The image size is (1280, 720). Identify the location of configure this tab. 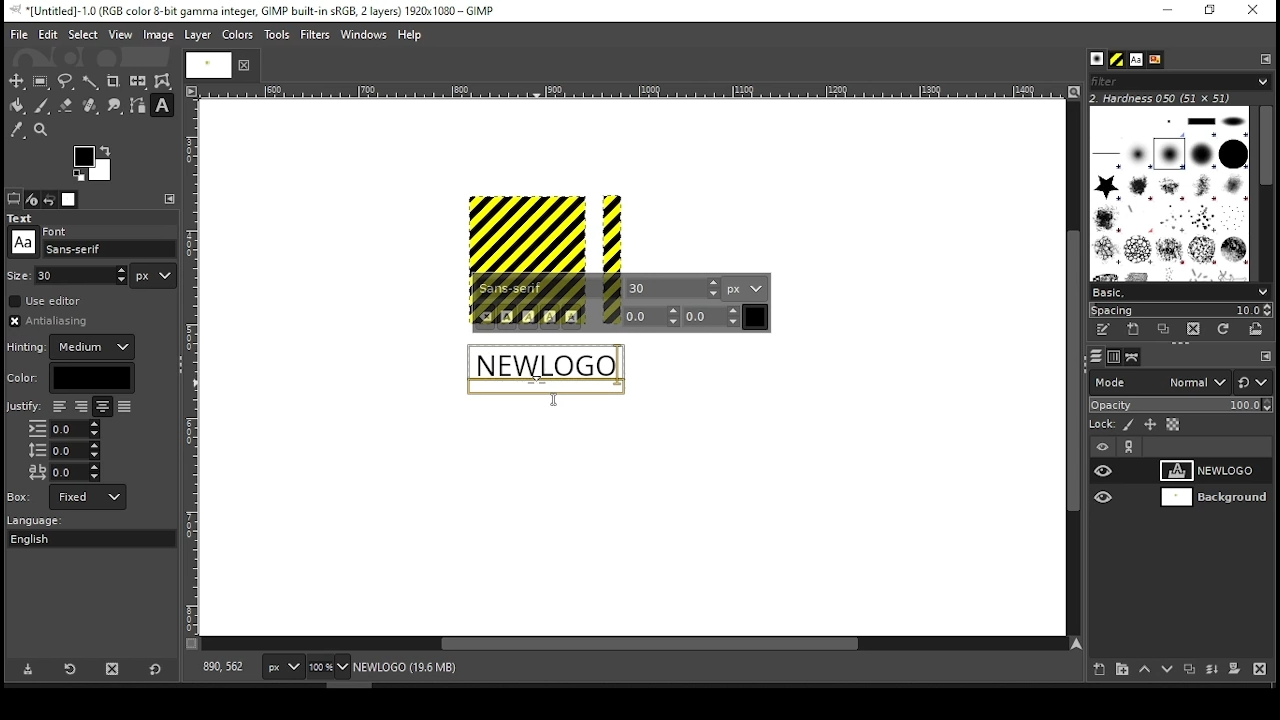
(1266, 358).